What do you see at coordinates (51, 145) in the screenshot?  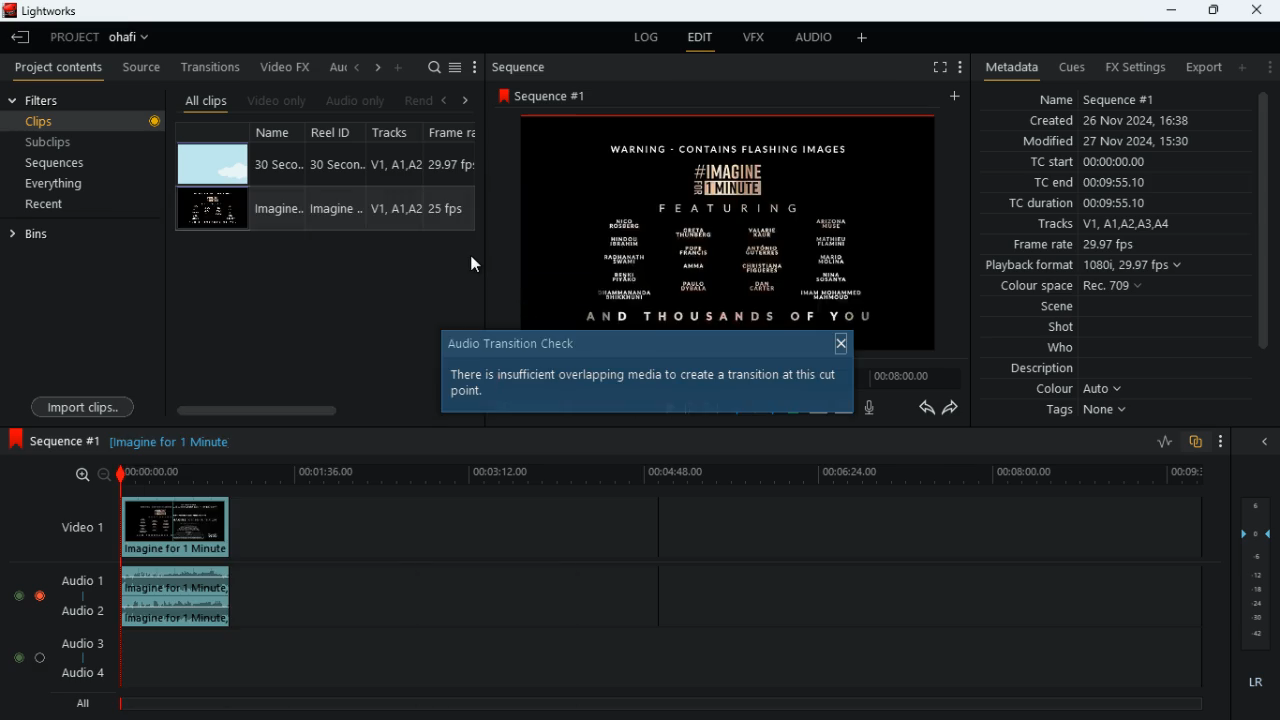 I see `subclips` at bounding box center [51, 145].